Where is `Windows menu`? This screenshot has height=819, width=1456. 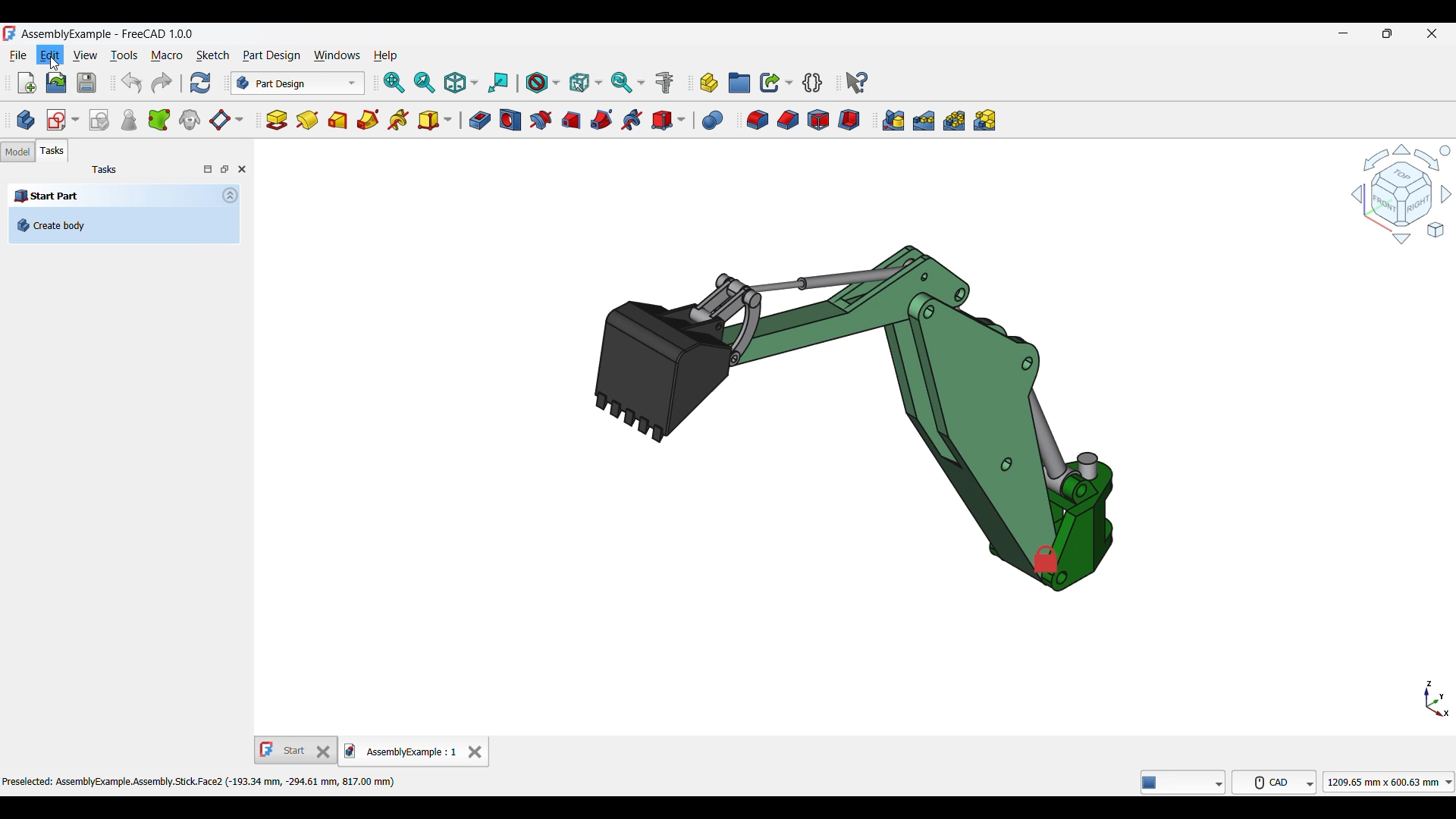
Windows menu is located at coordinates (337, 55).